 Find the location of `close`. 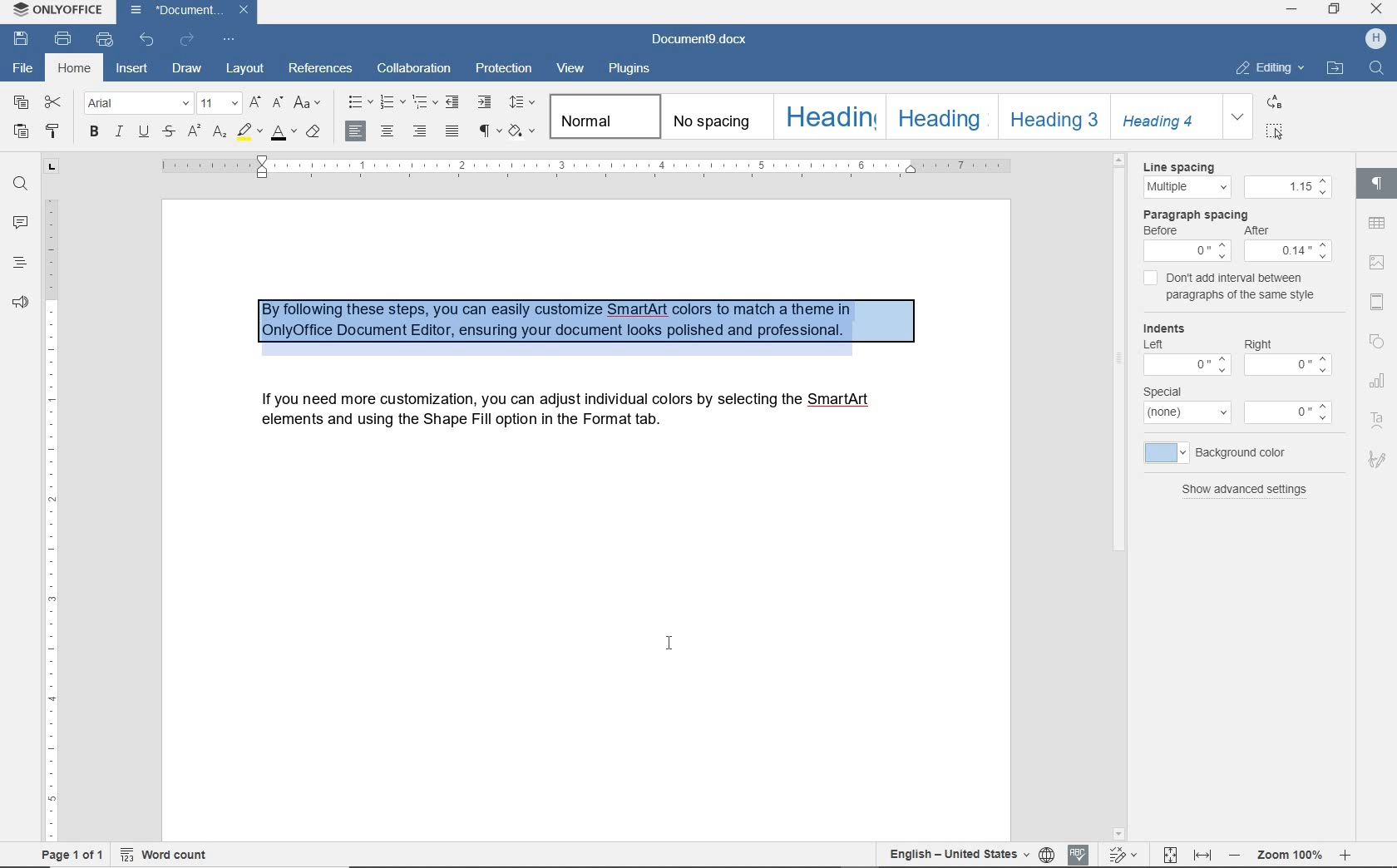

close is located at coordinates (244, 12).